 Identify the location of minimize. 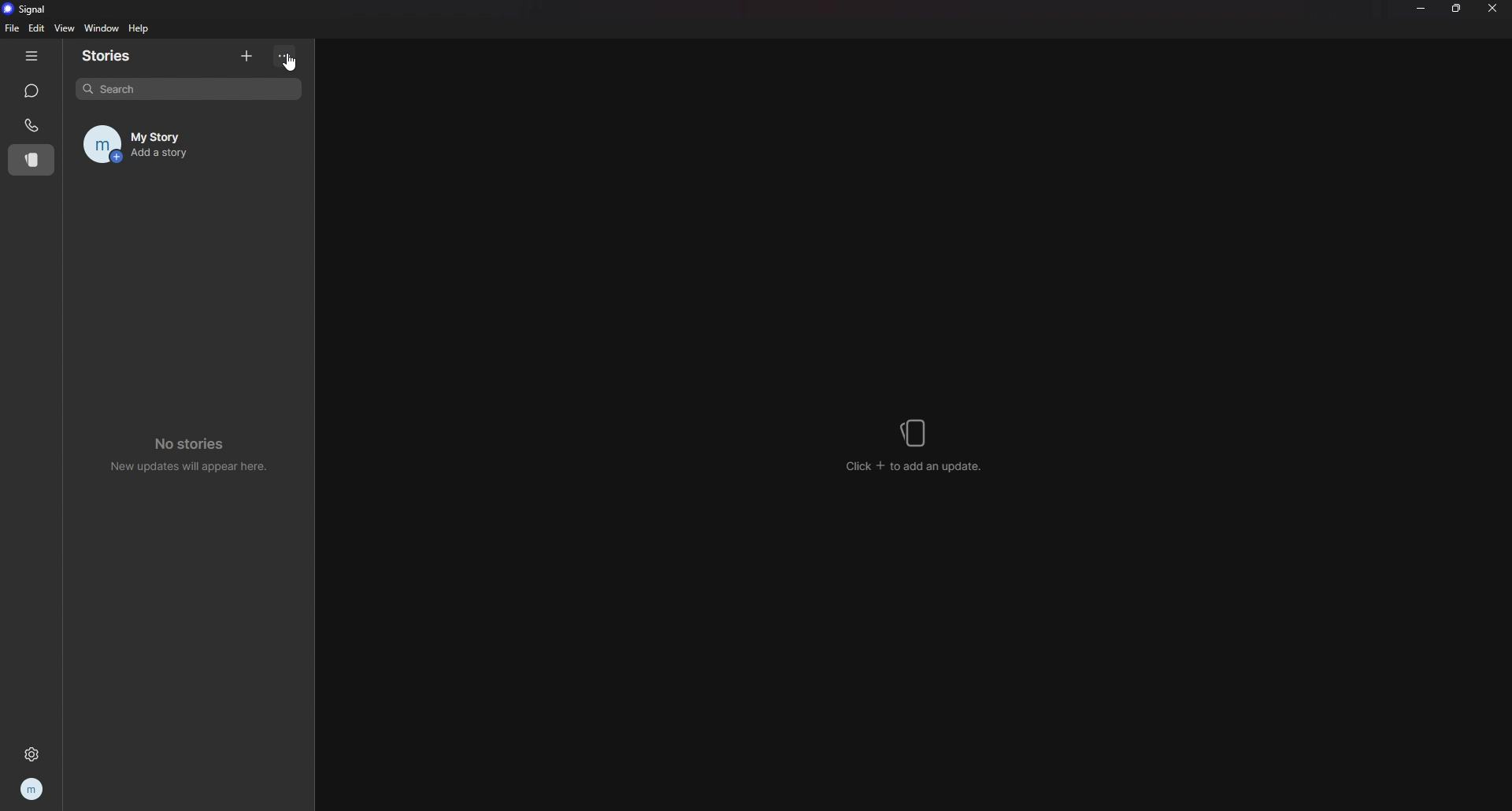
(1420, 8).